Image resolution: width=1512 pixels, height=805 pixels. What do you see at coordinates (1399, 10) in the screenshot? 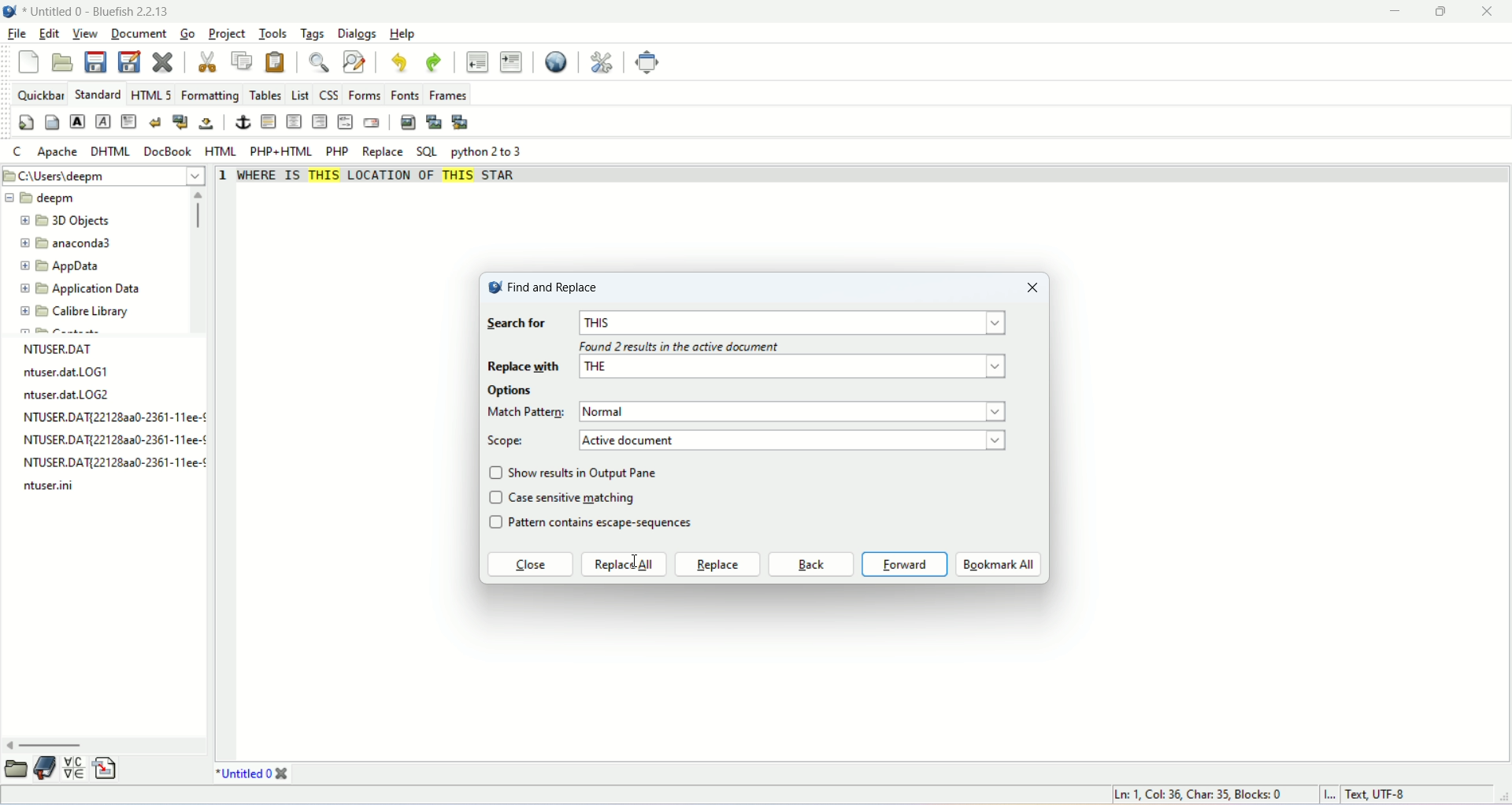
I see `minimize` at bounding box center [1399, 10].